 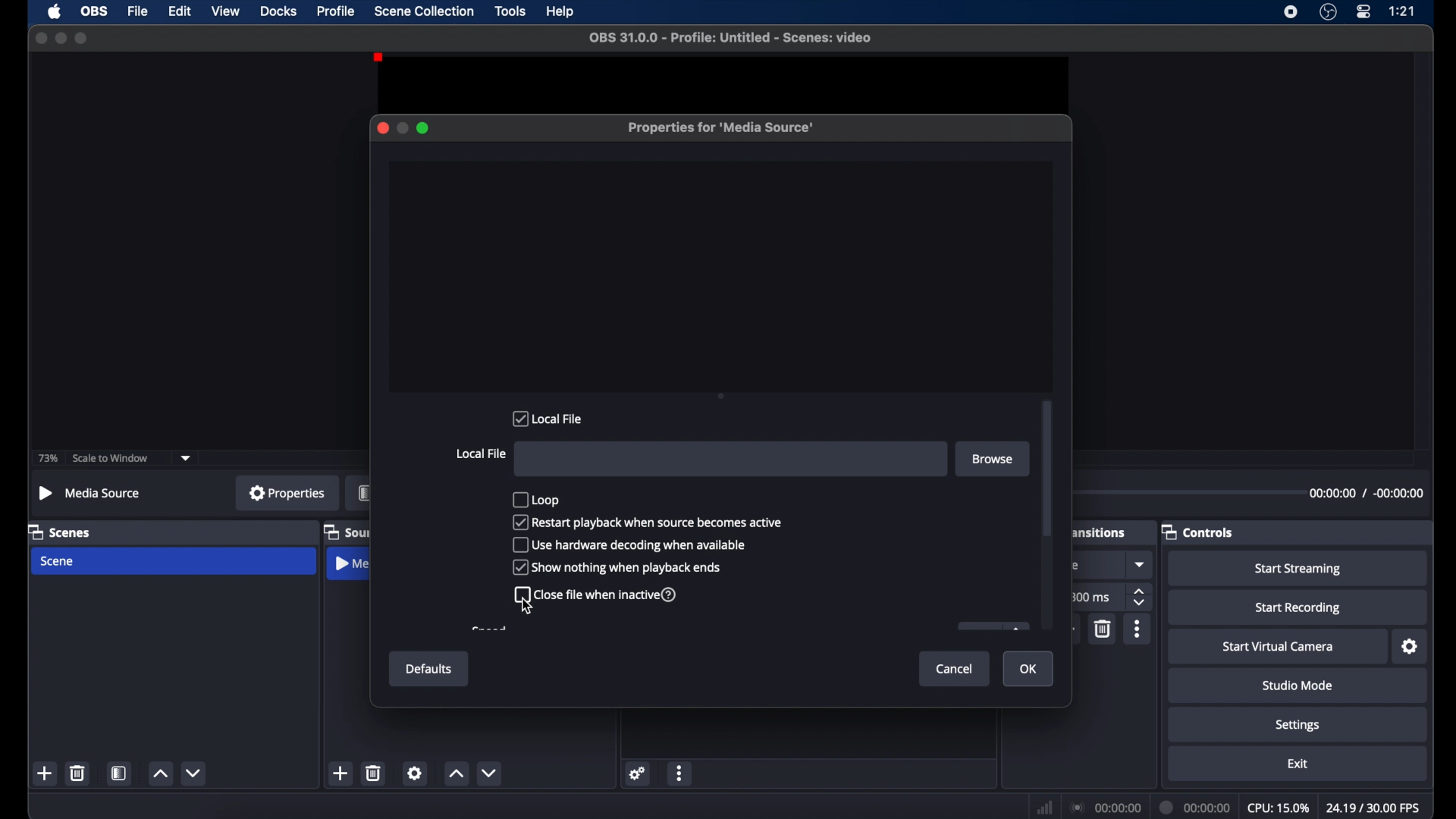 I want to click on close file when inactive, so click(x=598, y=595).